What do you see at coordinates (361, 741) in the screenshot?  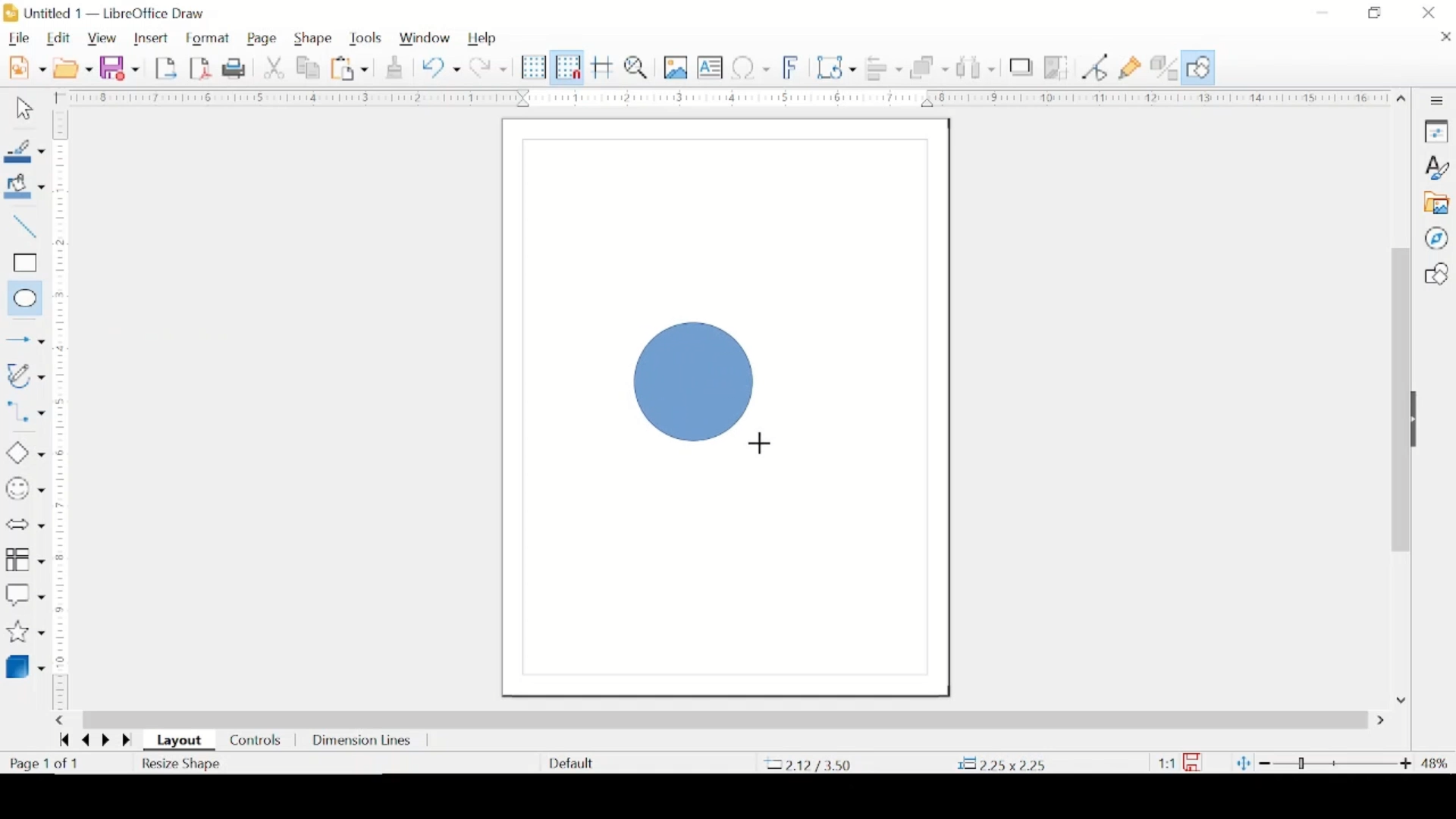 I see `dimension lines` at bounding box center [361, 741].